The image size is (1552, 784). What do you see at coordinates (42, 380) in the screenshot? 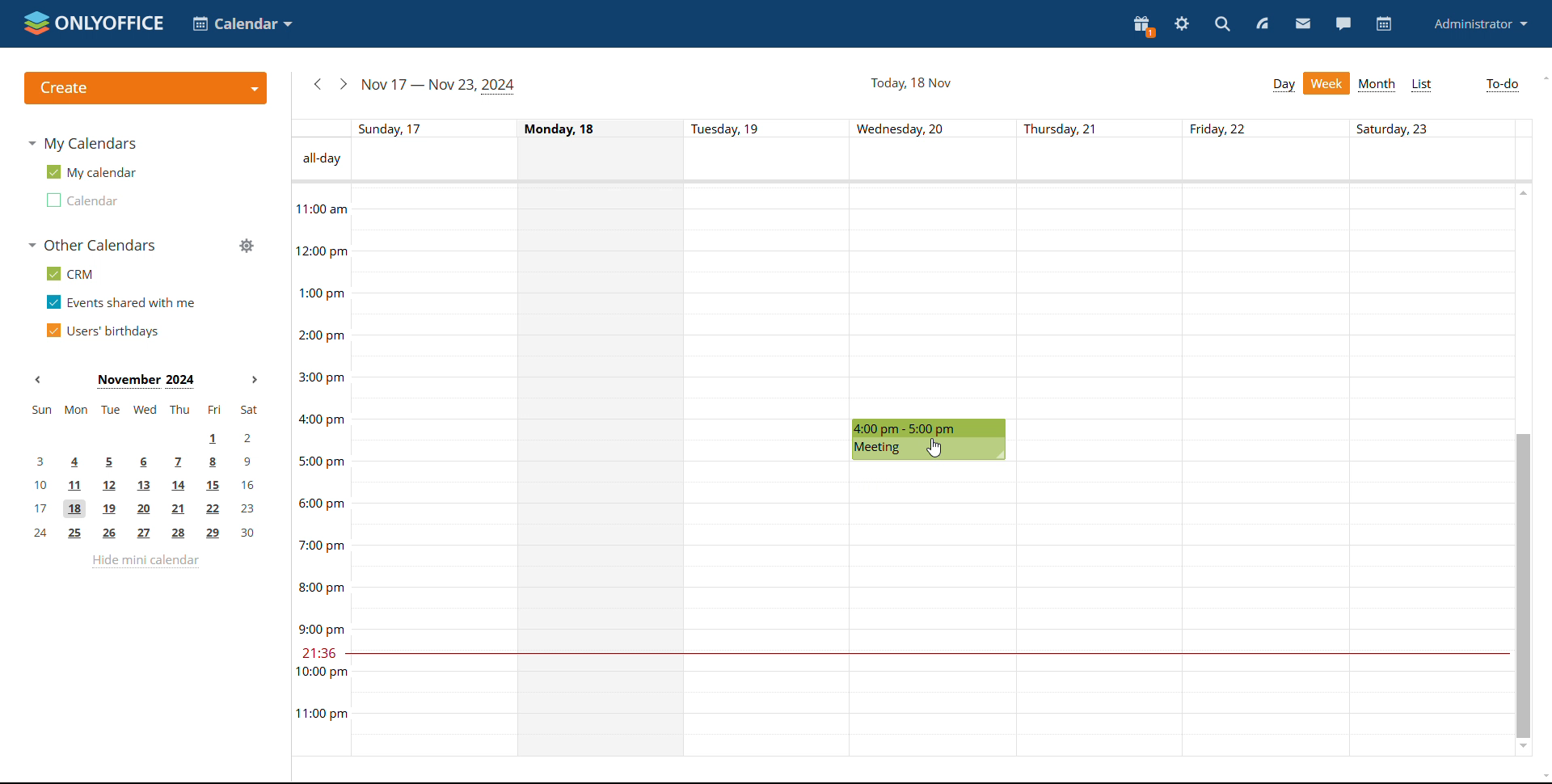
I see `previous month` at bounding box center [42, 380].